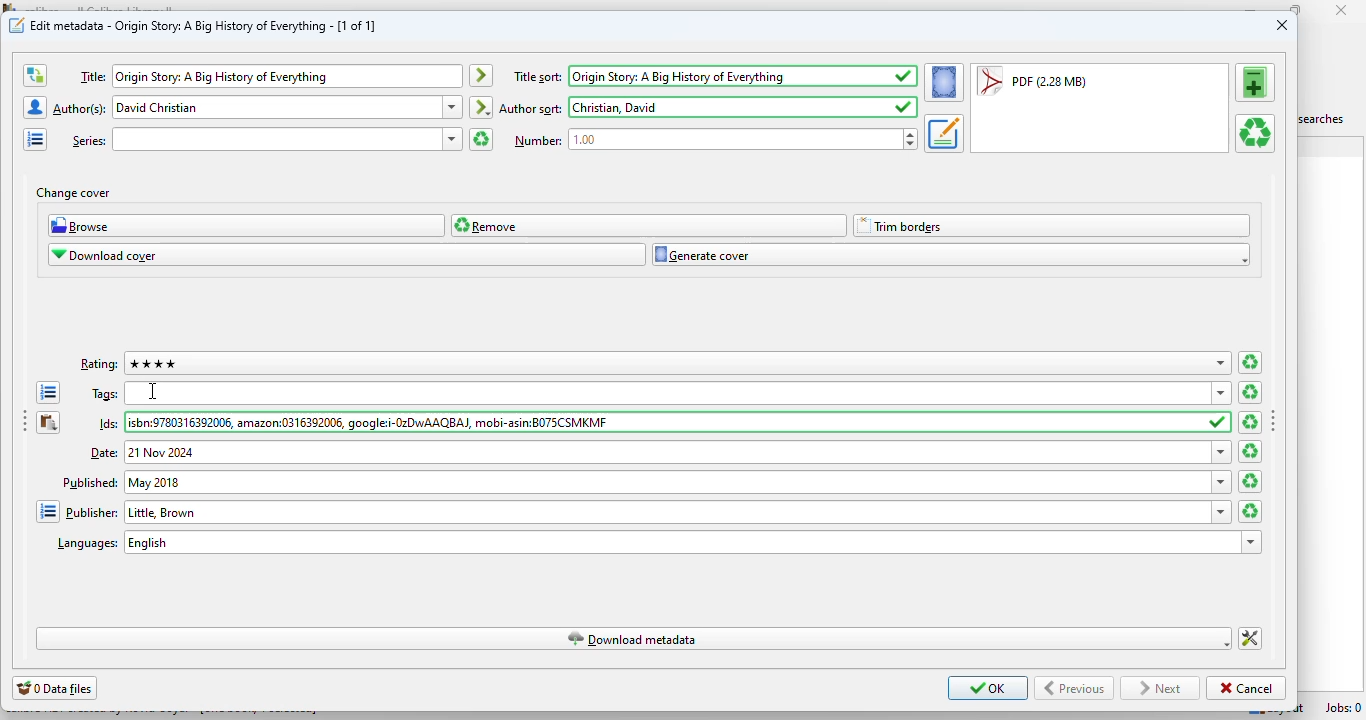 Image resolution: width=1366 pixels, height=720 pixels. Describe the element at coordinates (452, 139) in the screenshot. I see `dropdown` at that location.